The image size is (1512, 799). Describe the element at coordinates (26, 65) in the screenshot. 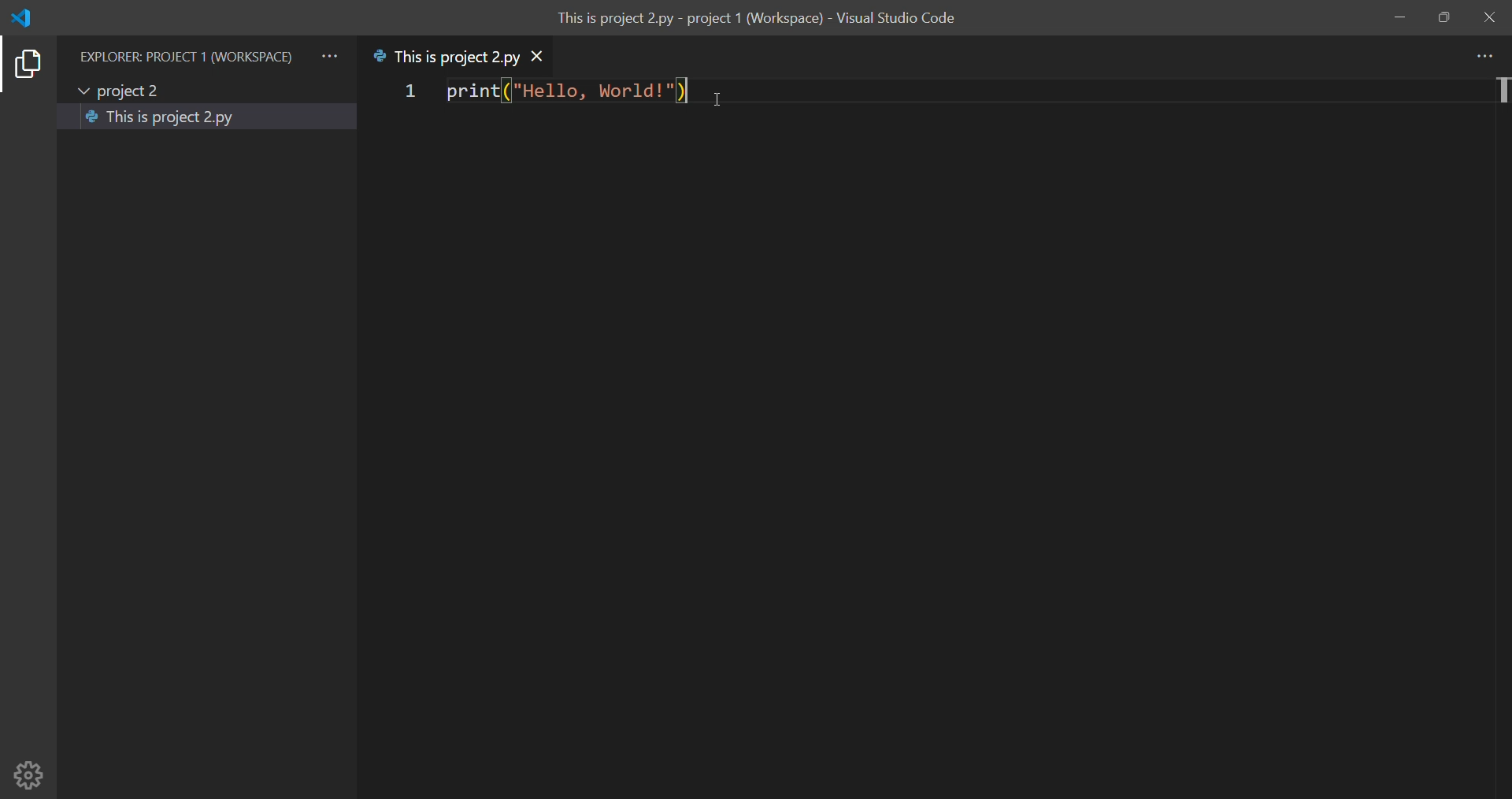

I see `explorer` at that location.